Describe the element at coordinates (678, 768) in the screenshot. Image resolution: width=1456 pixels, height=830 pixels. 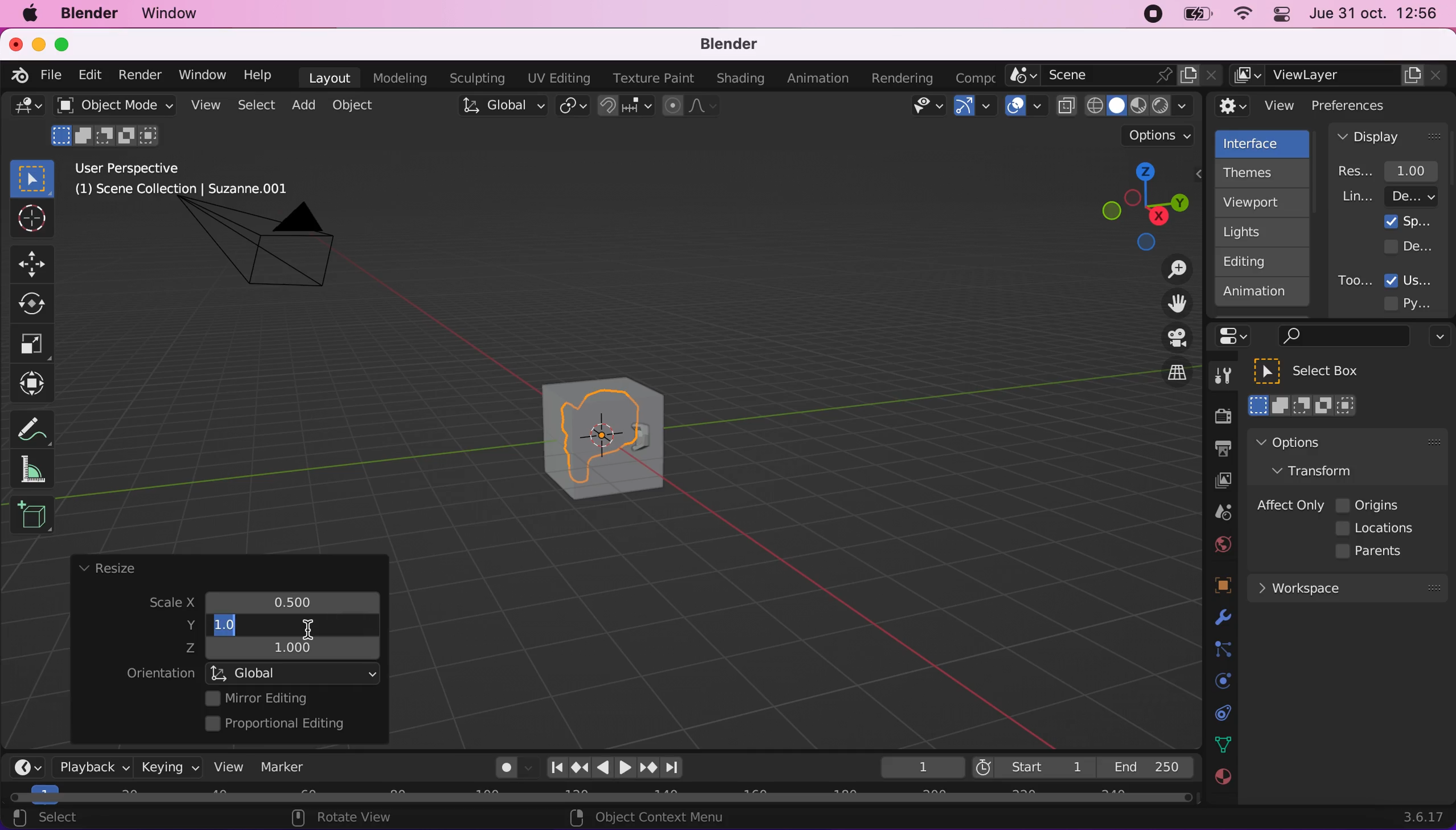
I see `jump to endpoint` at that location.